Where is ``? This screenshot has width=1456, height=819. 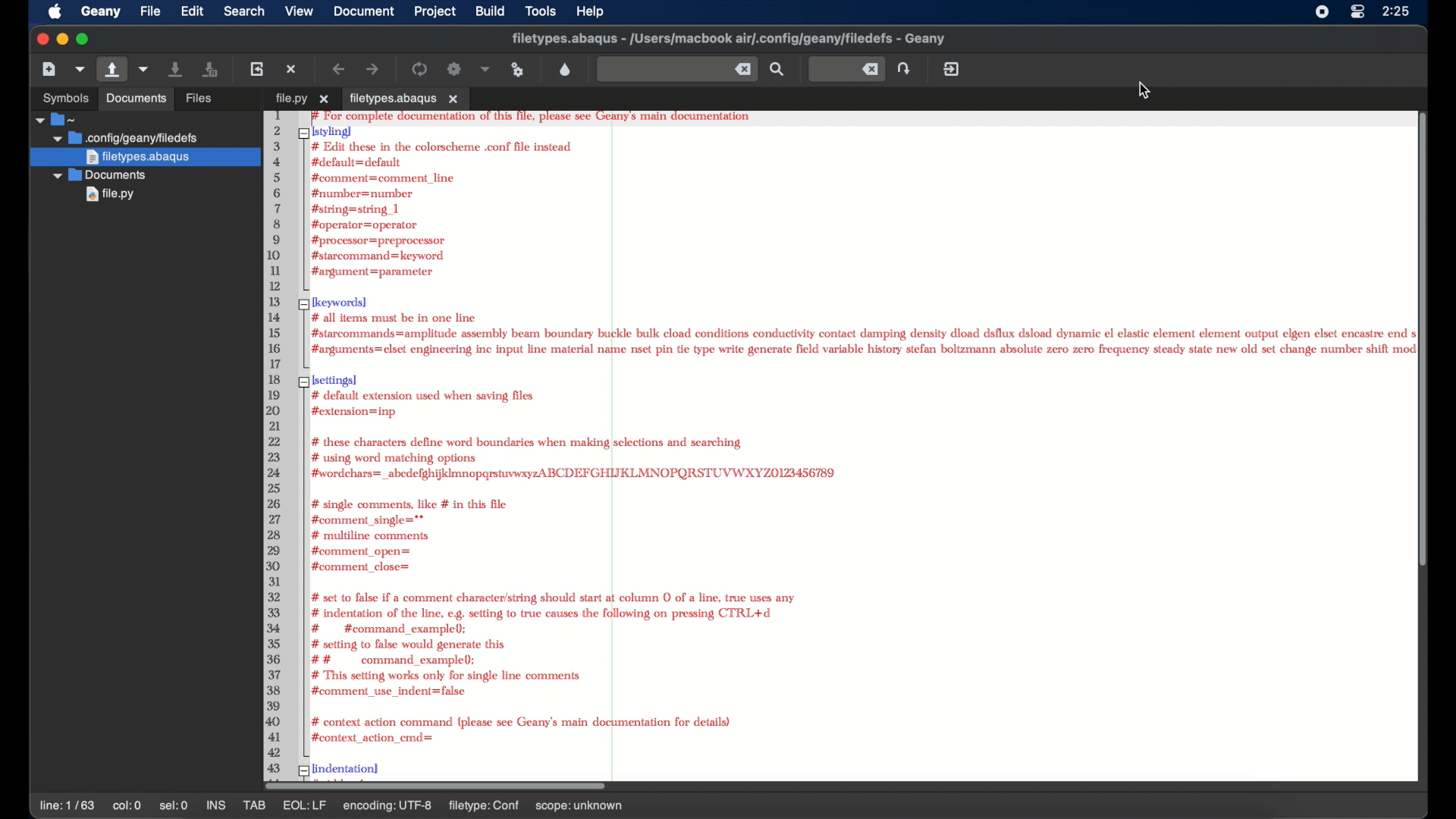  is located at coordinates (105, 198).